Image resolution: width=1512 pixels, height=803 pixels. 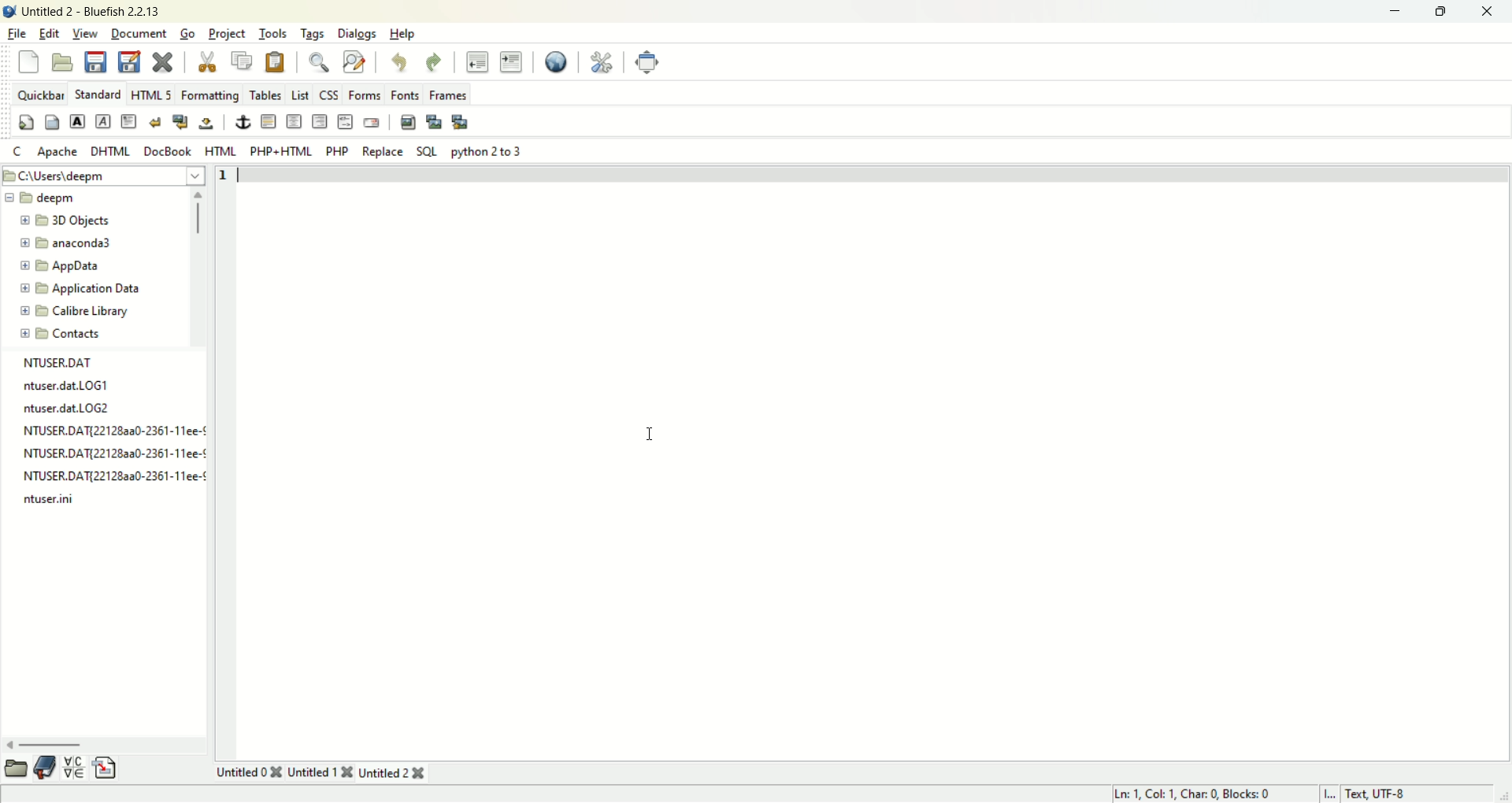 What do you see at coordinates (153, 94) in the screenshot?
I see `HTML 5` at bounding box center [153, 94].